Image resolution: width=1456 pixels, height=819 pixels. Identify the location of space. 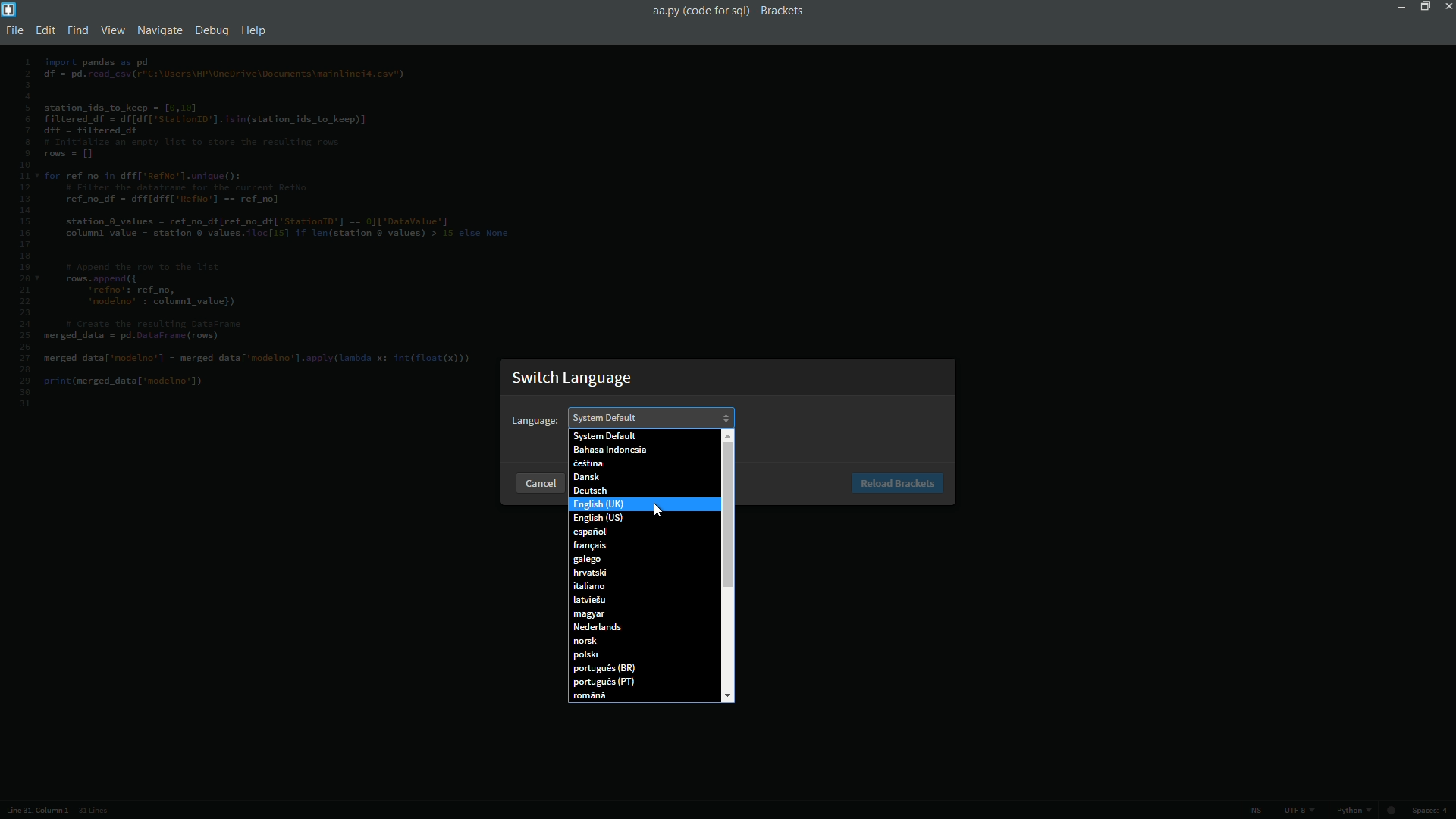
(1434, 811).